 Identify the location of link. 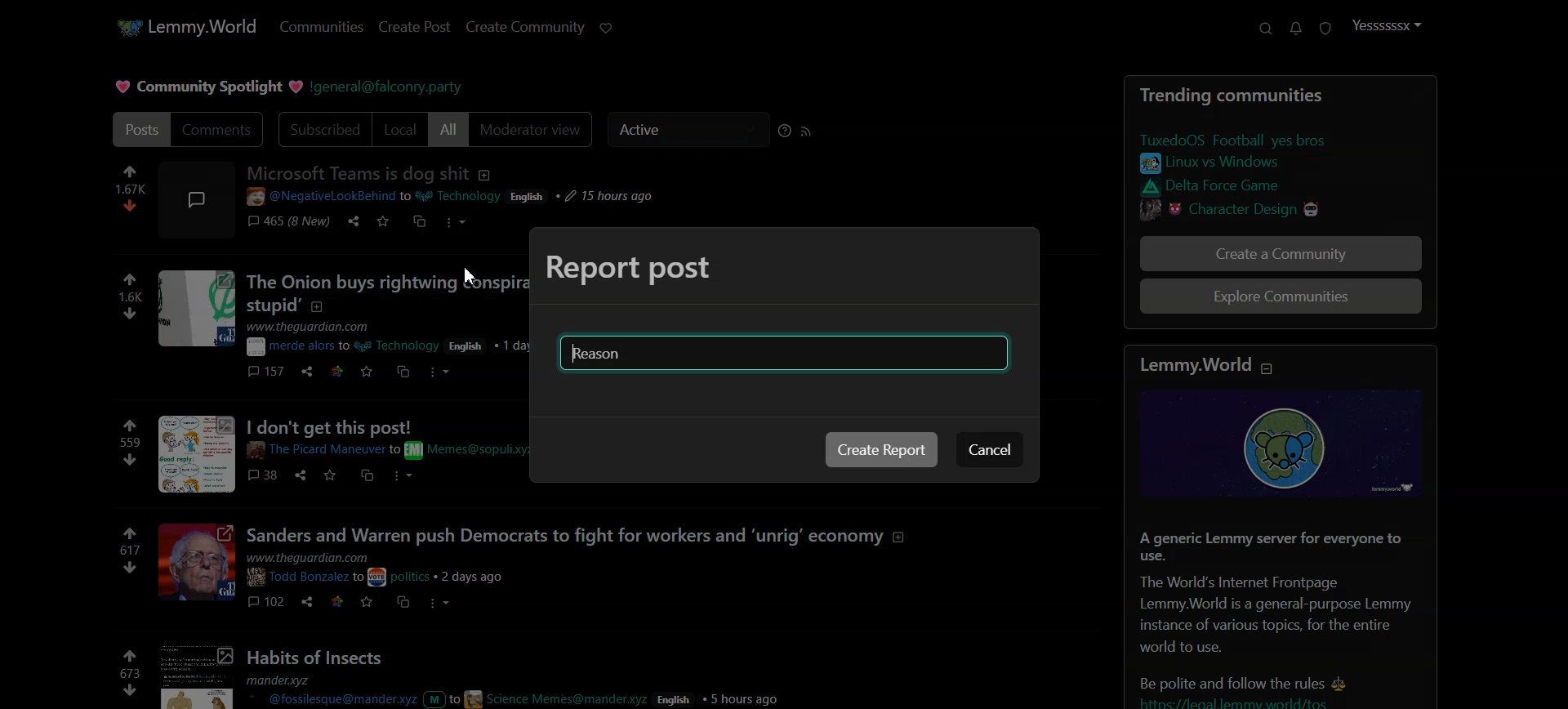
(1243, 187).